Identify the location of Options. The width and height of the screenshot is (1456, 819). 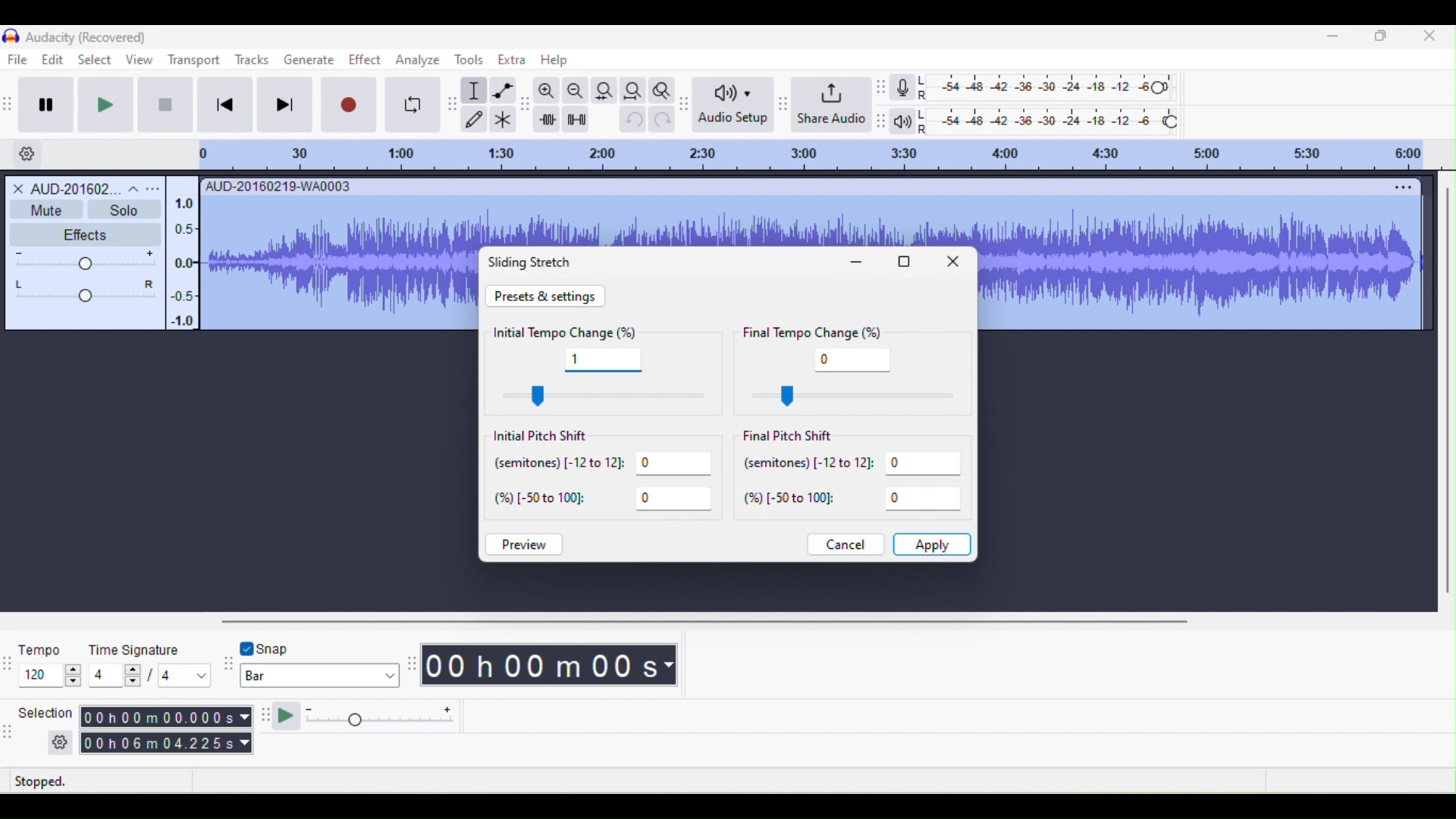
(1395, 188).